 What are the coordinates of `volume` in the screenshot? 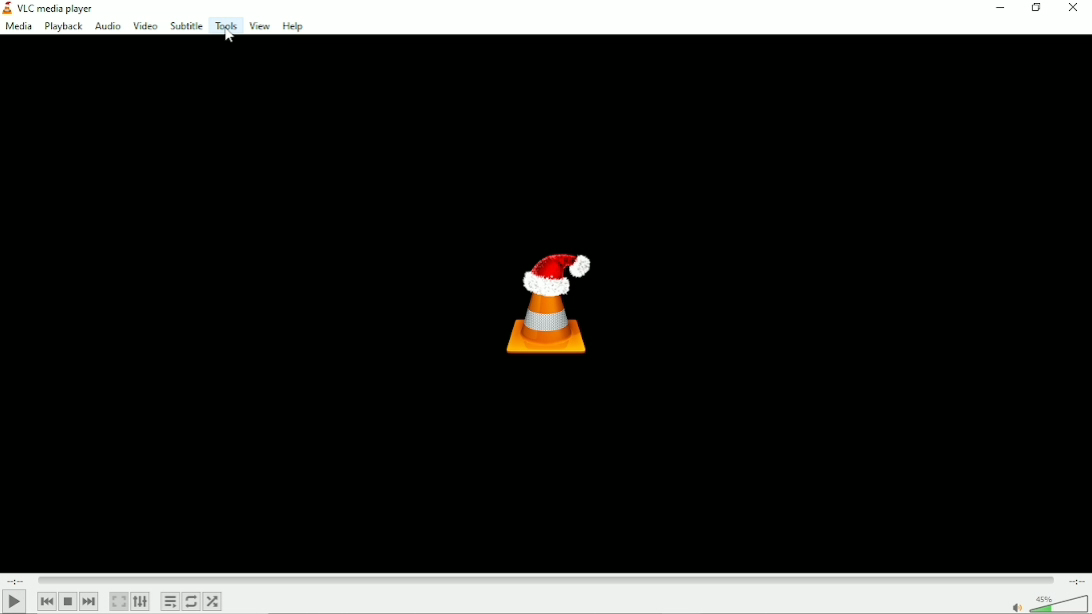 It's located at (1048, 604).